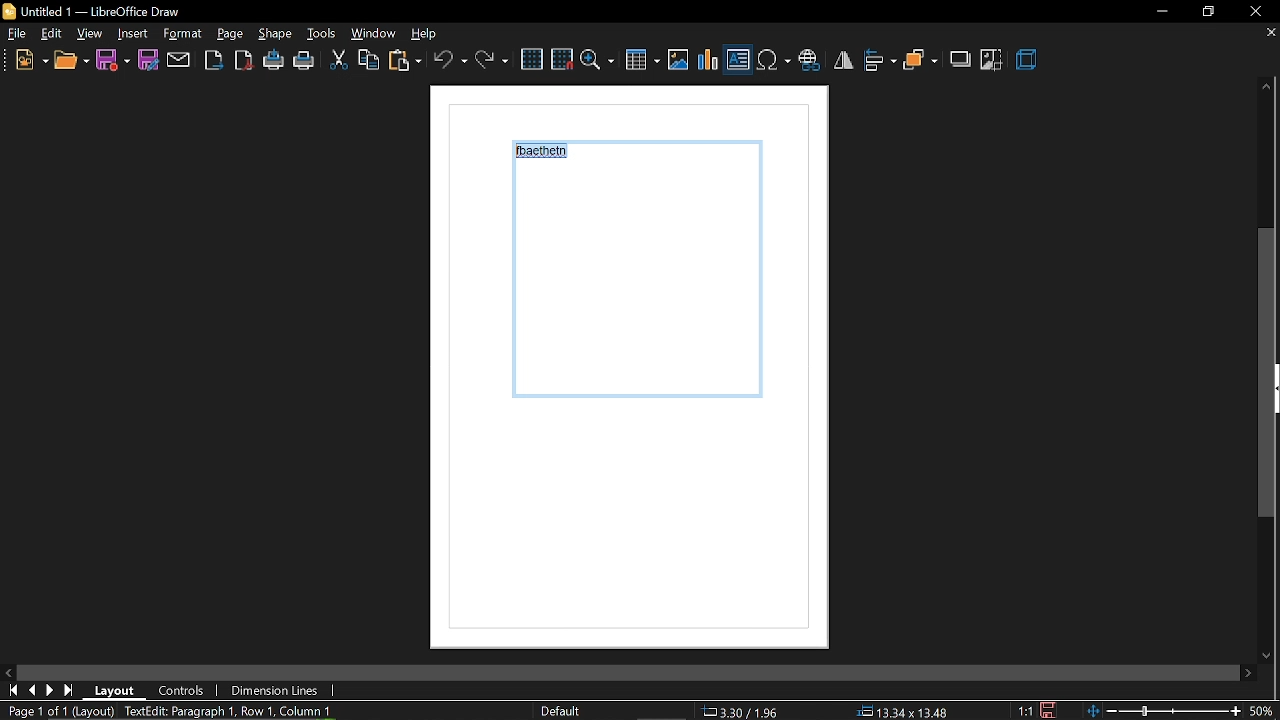 Image resolution: width=1280 pixels, height=720 pixels. Describe the element at coordinates (52, 34) in the screenshot. I see `edit` at that location.